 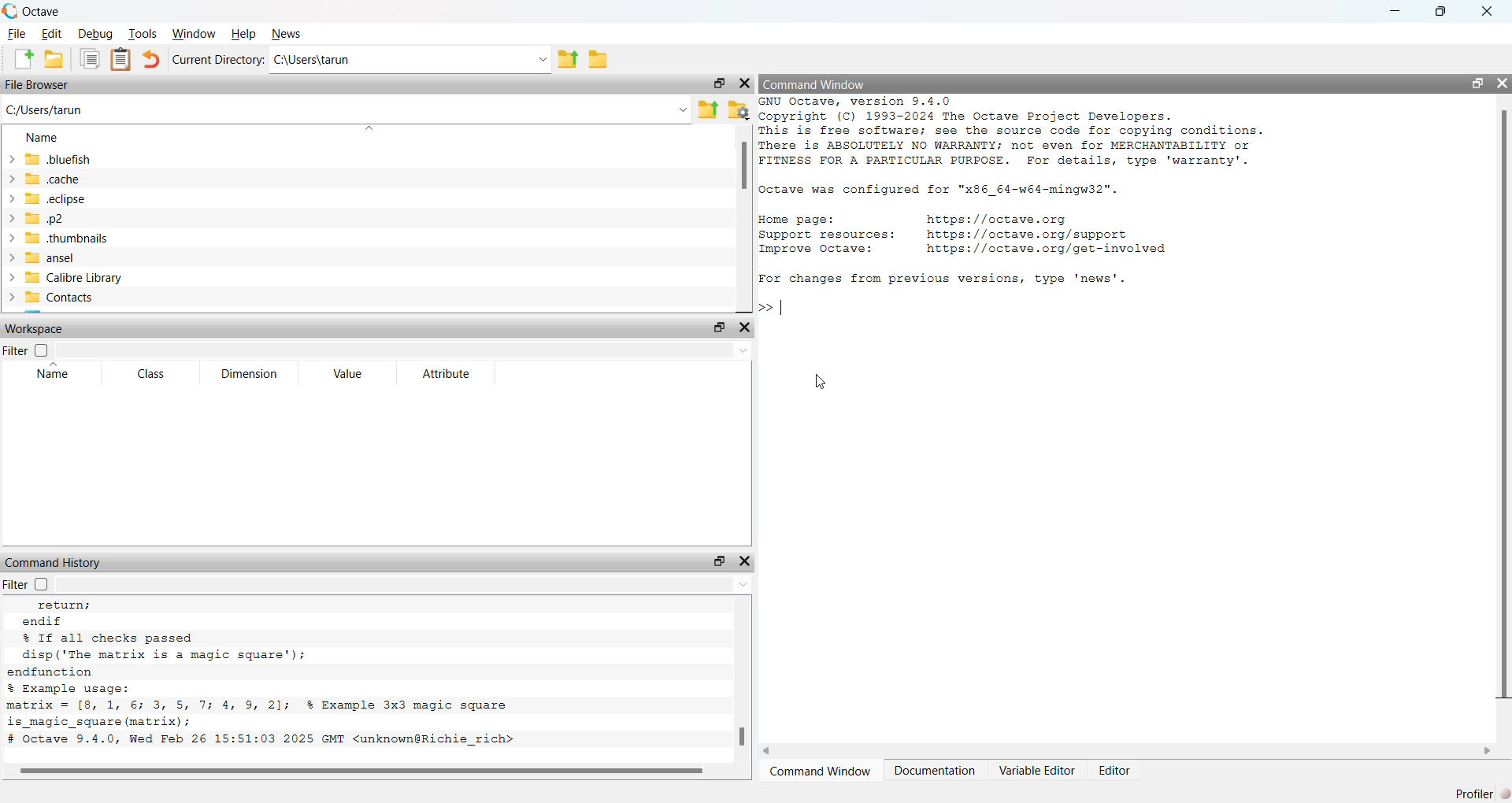 I want to click on Command Window, so click(x=819, y=771).